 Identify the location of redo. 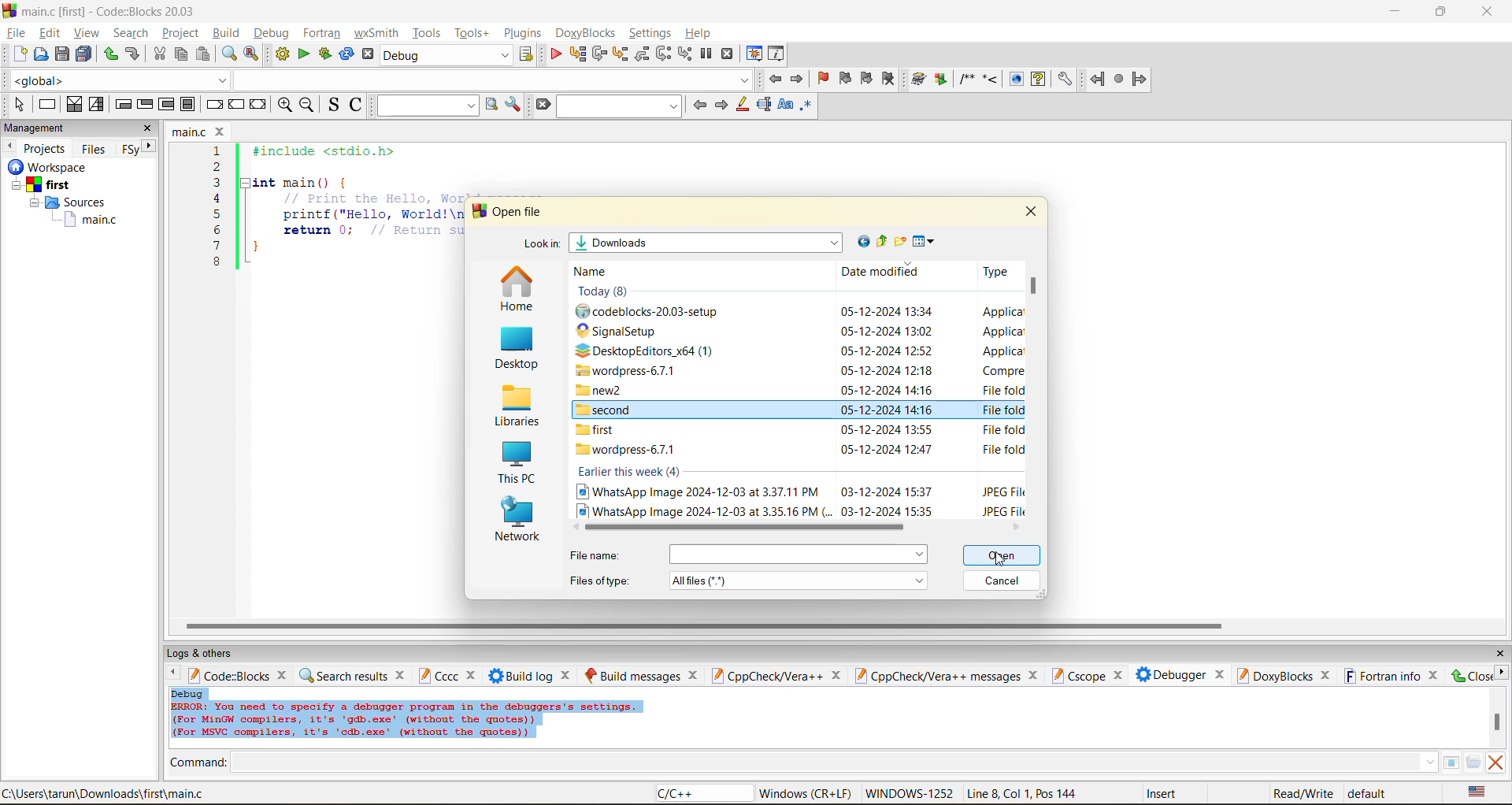
(110, 54).